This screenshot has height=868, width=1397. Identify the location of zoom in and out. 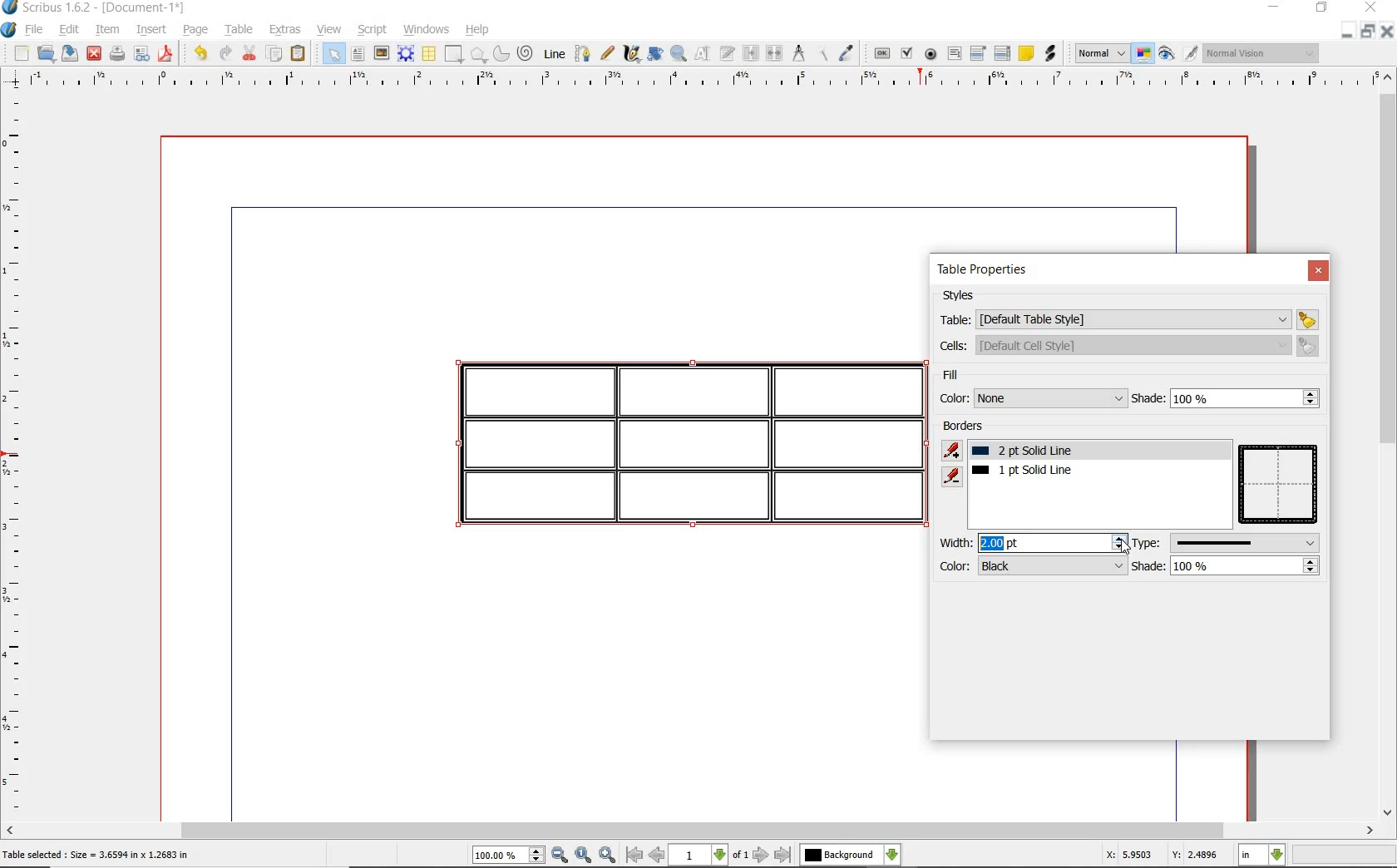
(679, 54).